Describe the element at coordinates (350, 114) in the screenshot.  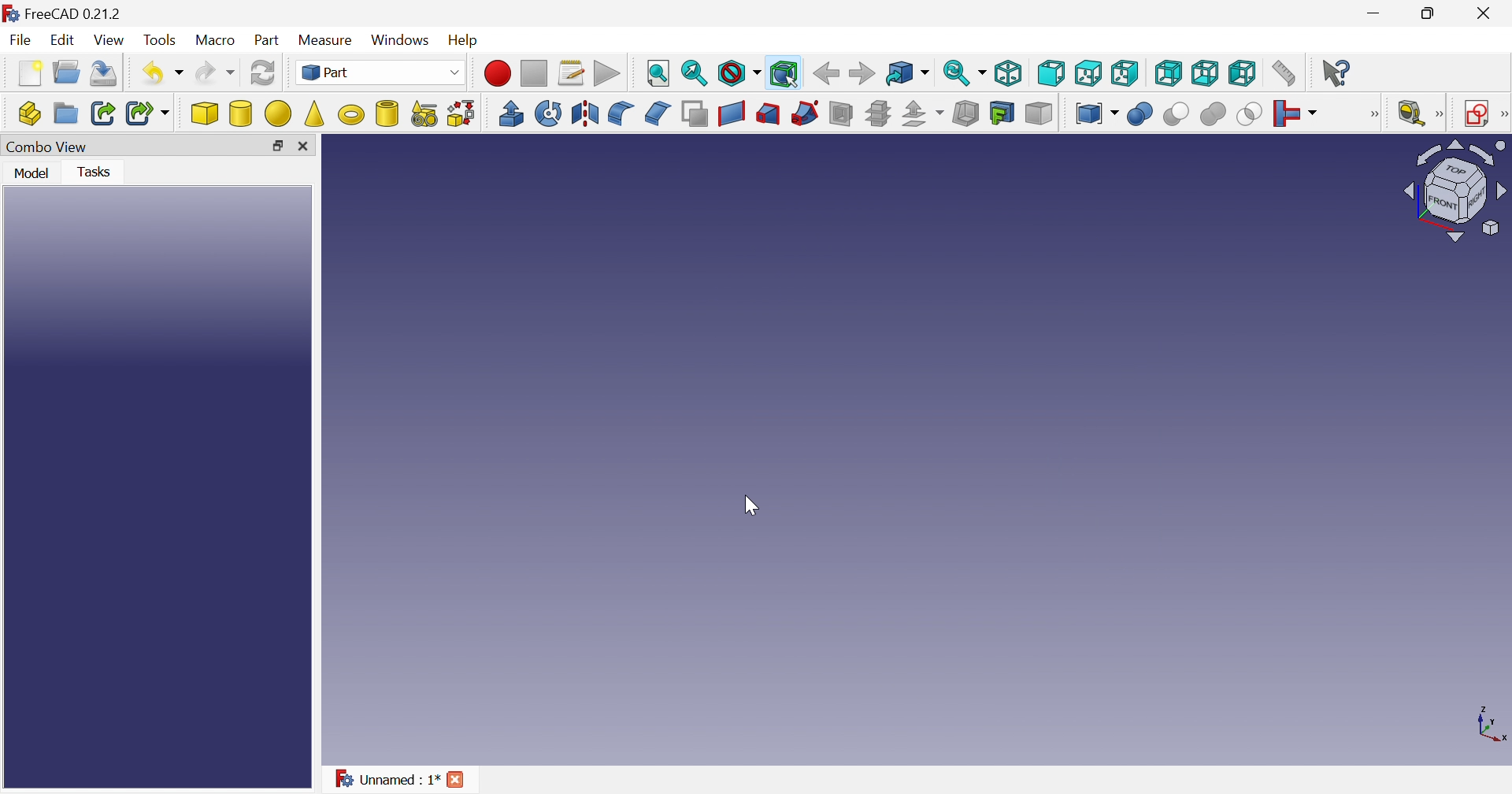
I see `Torus` at that location.